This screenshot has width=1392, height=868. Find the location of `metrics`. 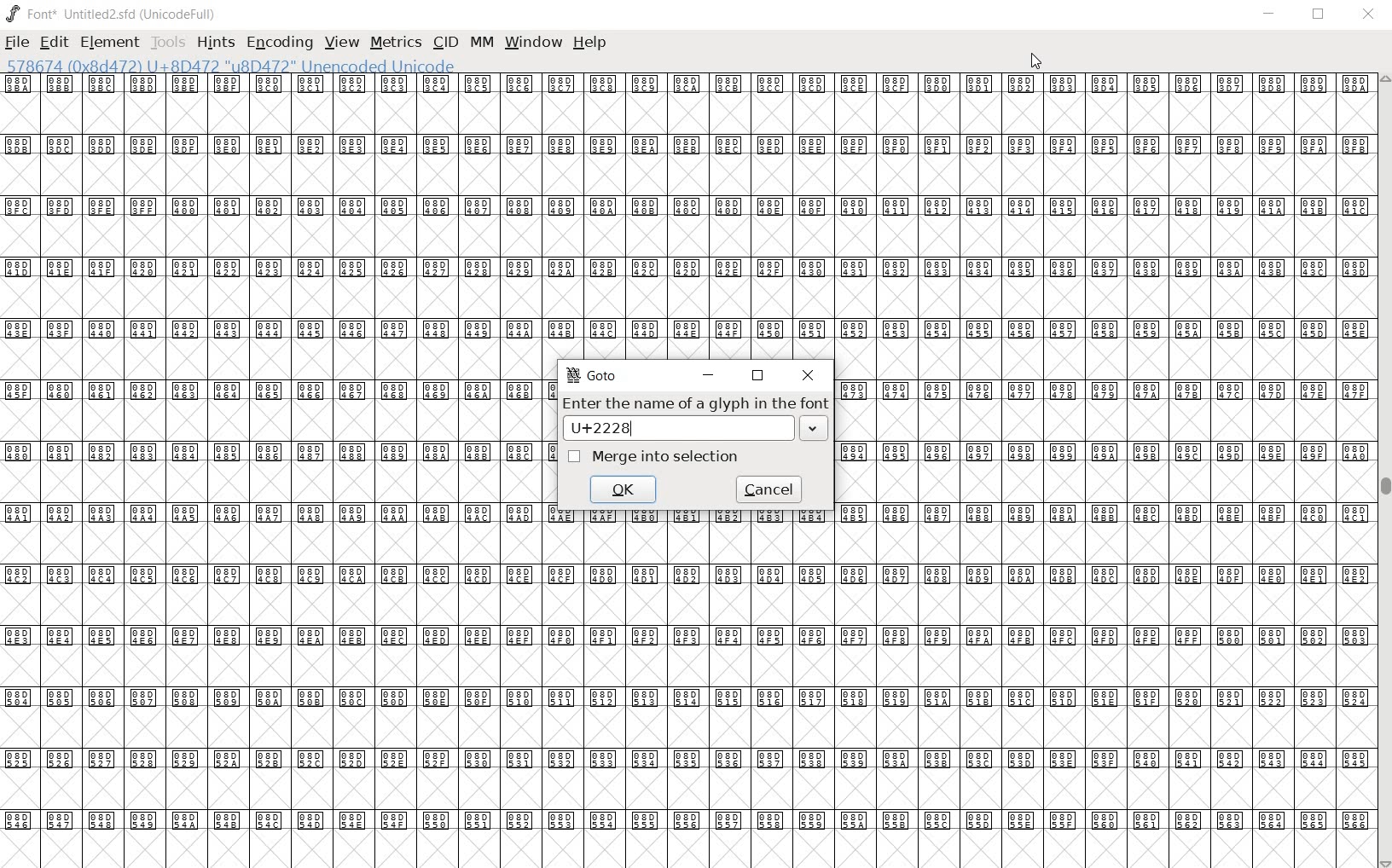

metrics is located at coordinates (395, 43).